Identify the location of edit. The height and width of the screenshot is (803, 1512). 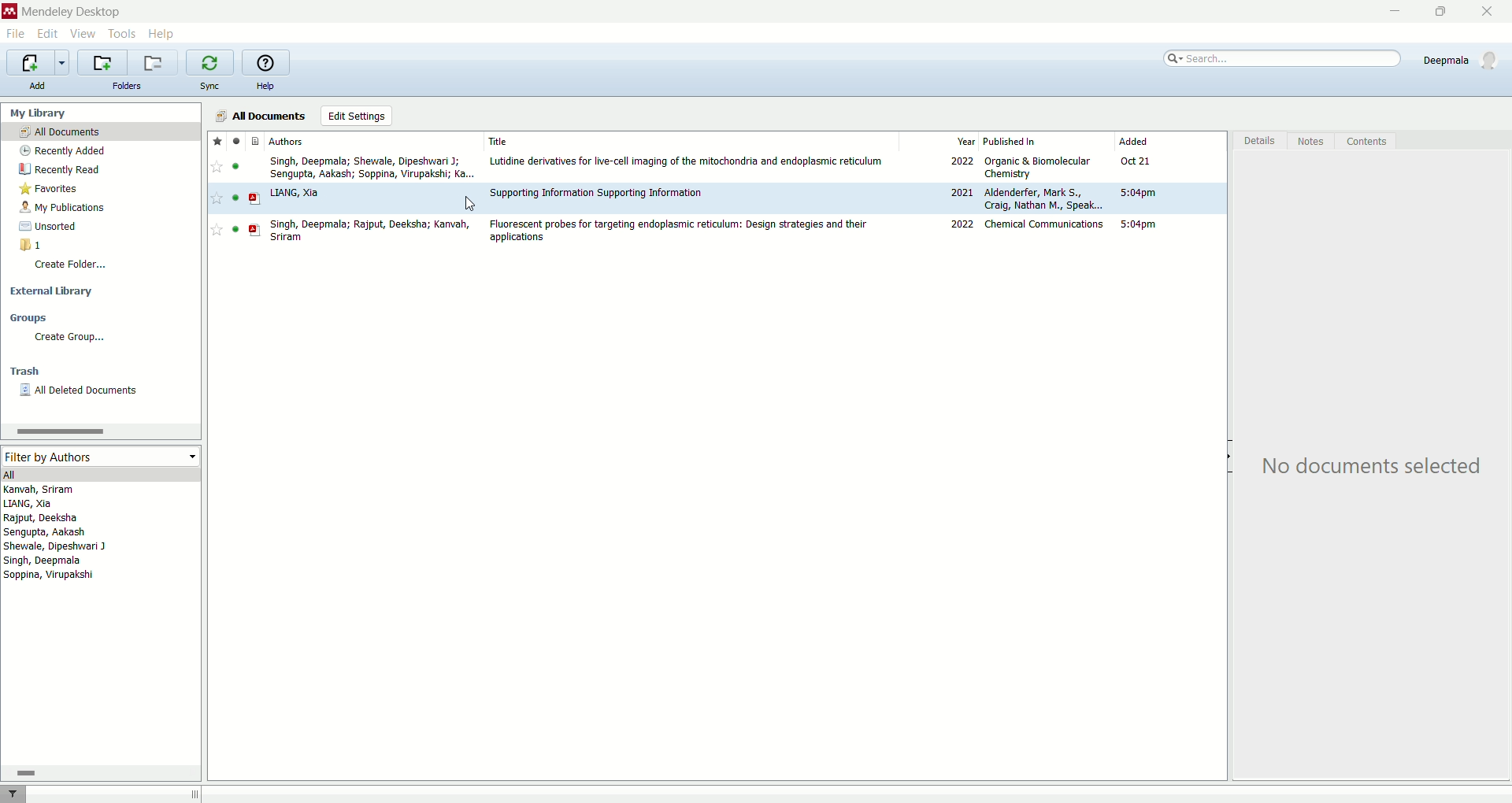
(46, 32).